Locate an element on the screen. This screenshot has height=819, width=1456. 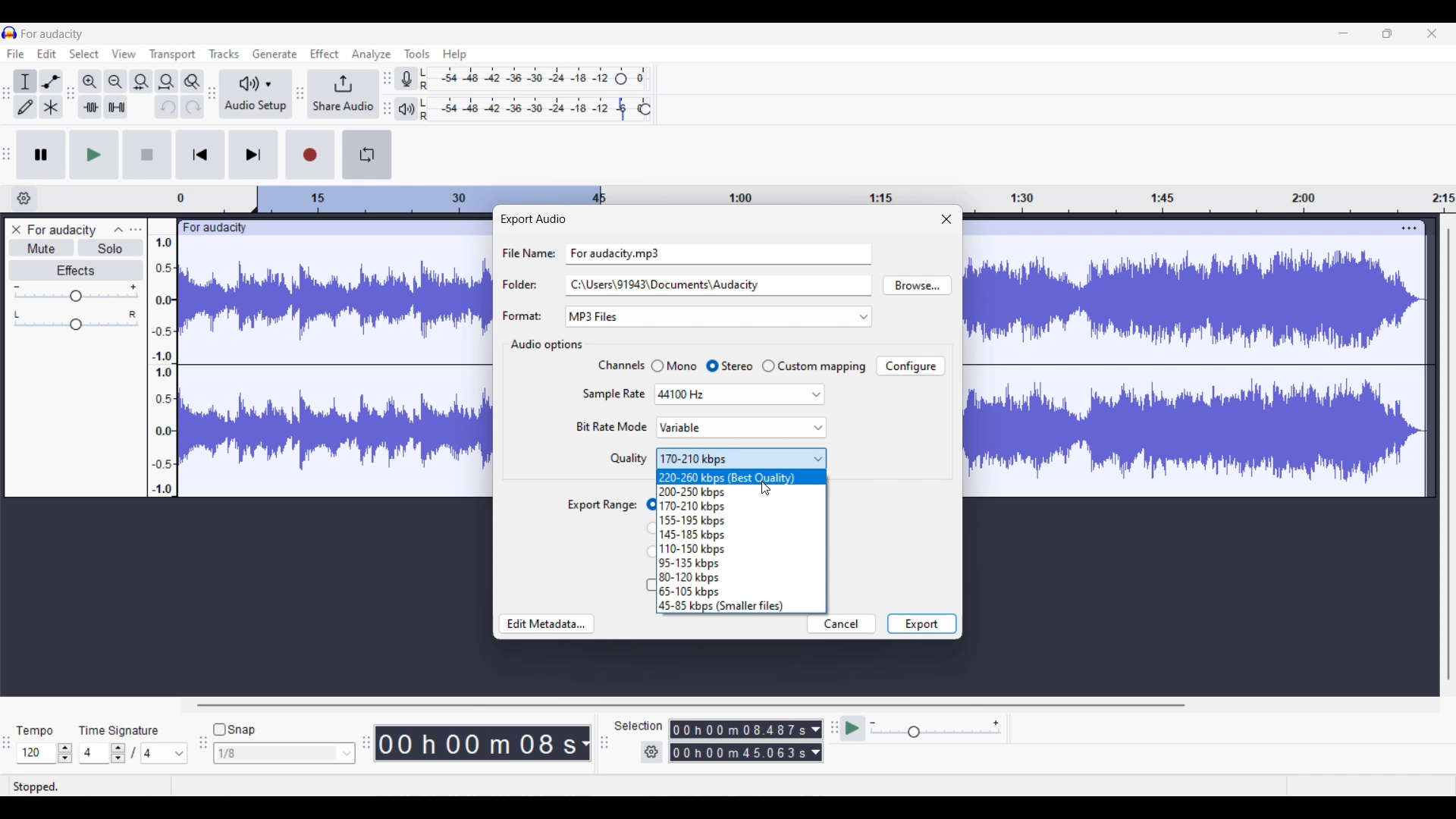
Selection duration is located at coordinates (739, 730).